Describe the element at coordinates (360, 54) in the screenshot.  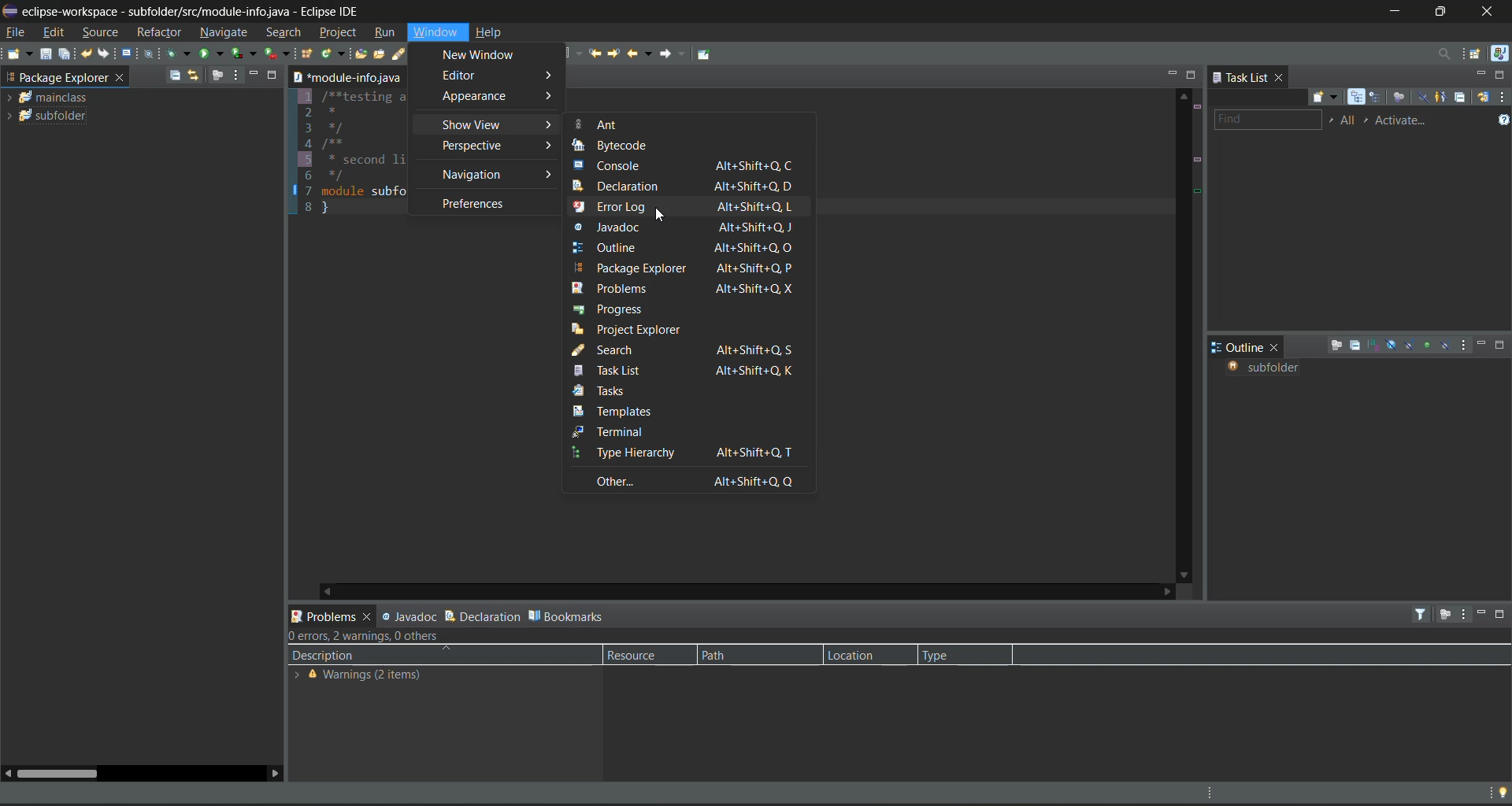
I see `open type` at that location.